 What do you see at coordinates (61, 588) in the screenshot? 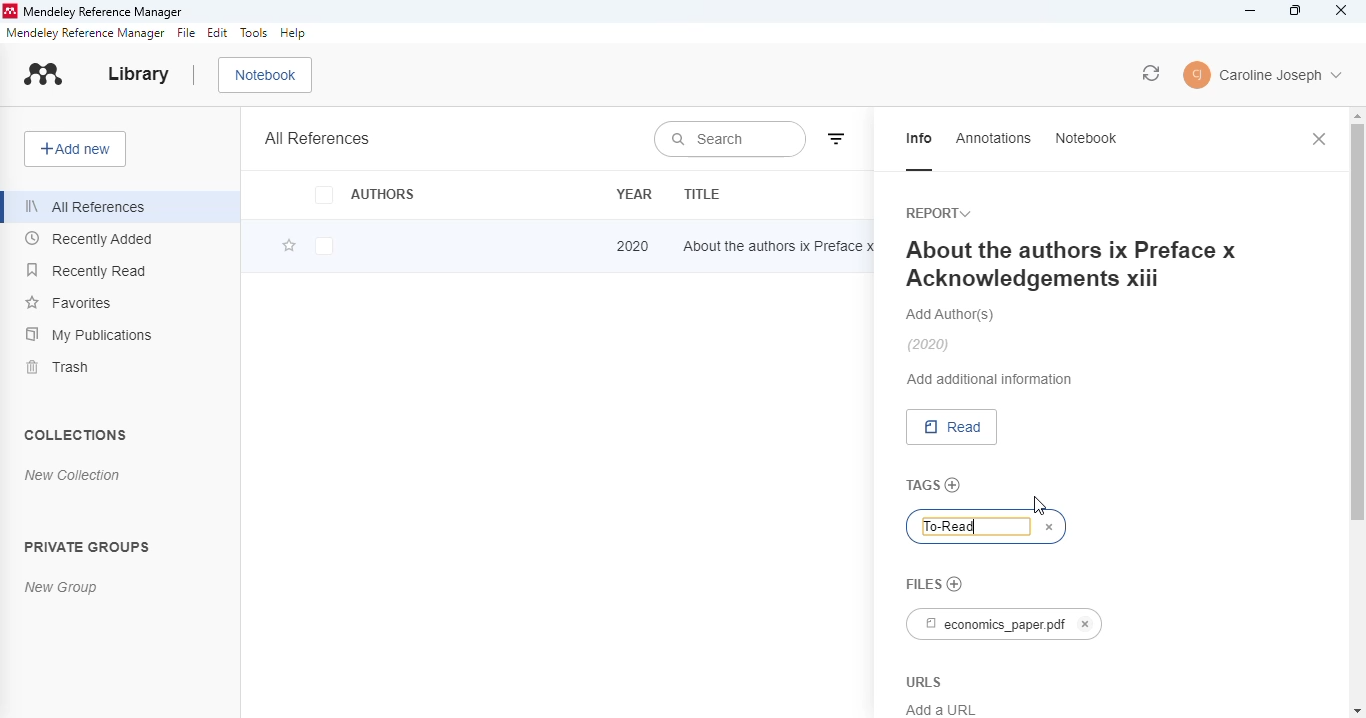
I see `new group` at bounding box center [61, 588].